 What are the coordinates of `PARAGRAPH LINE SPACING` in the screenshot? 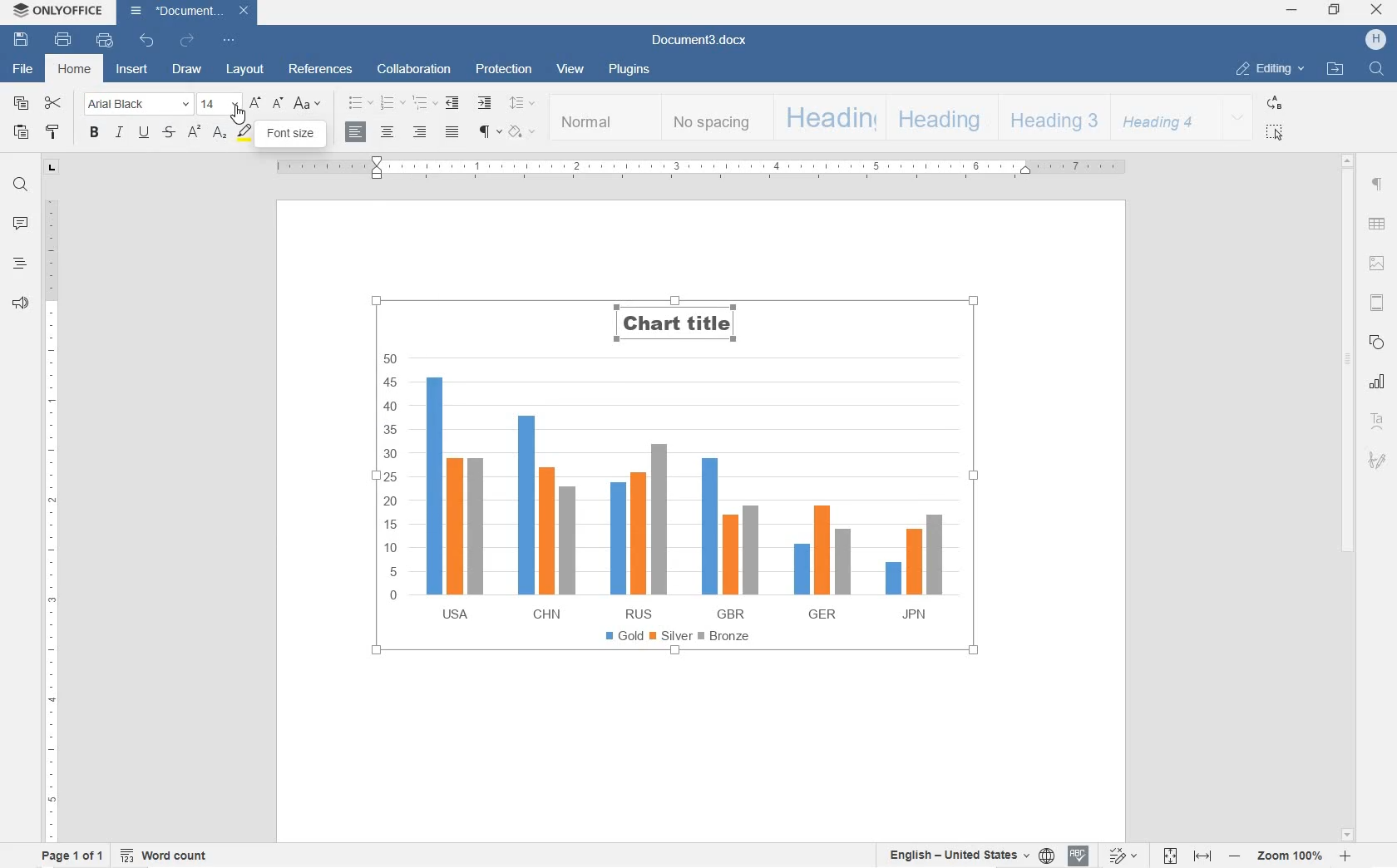 It's located at (521, 104).